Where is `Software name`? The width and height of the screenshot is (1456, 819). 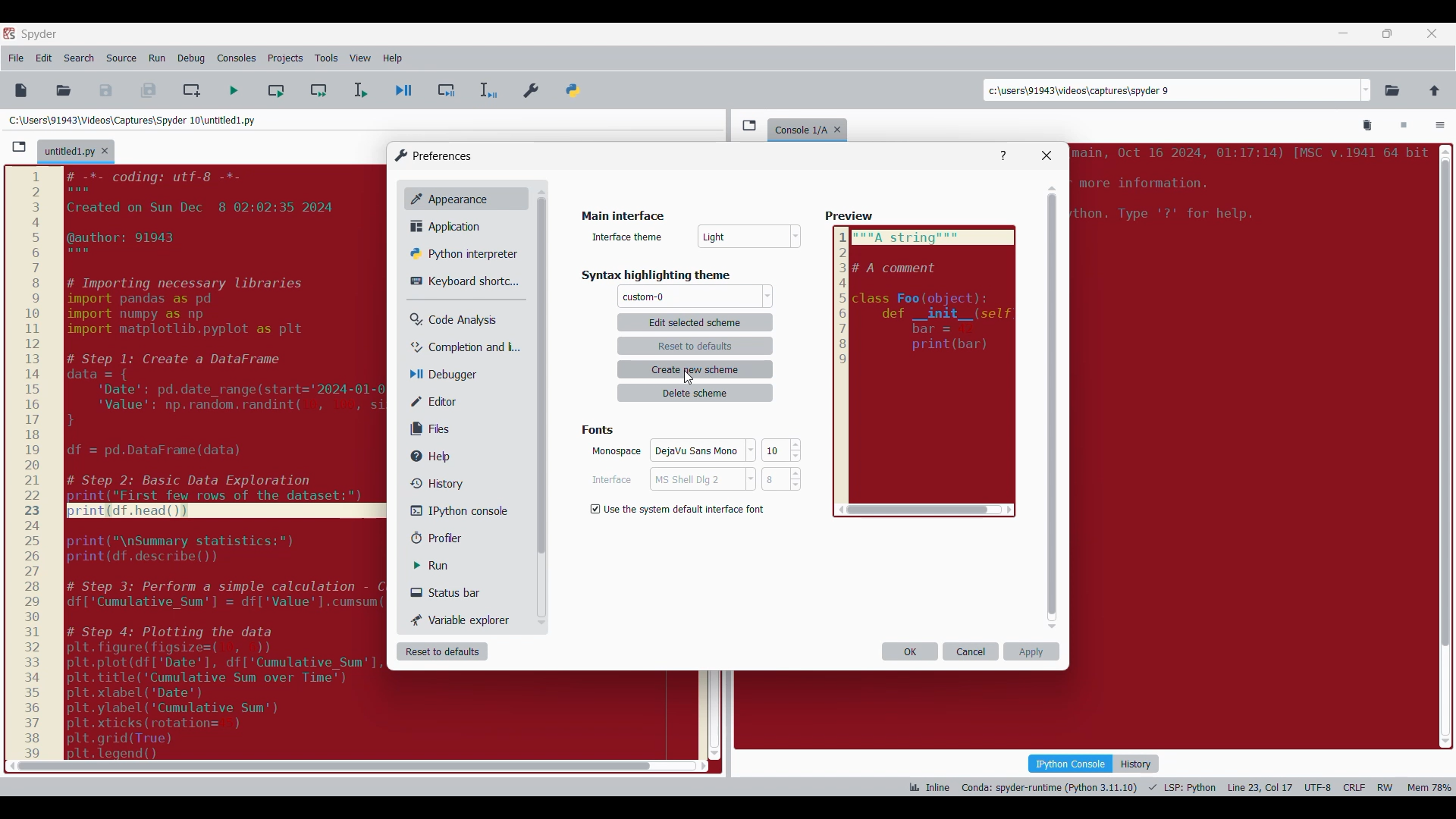
Software name is located at coordinates (39, 34).